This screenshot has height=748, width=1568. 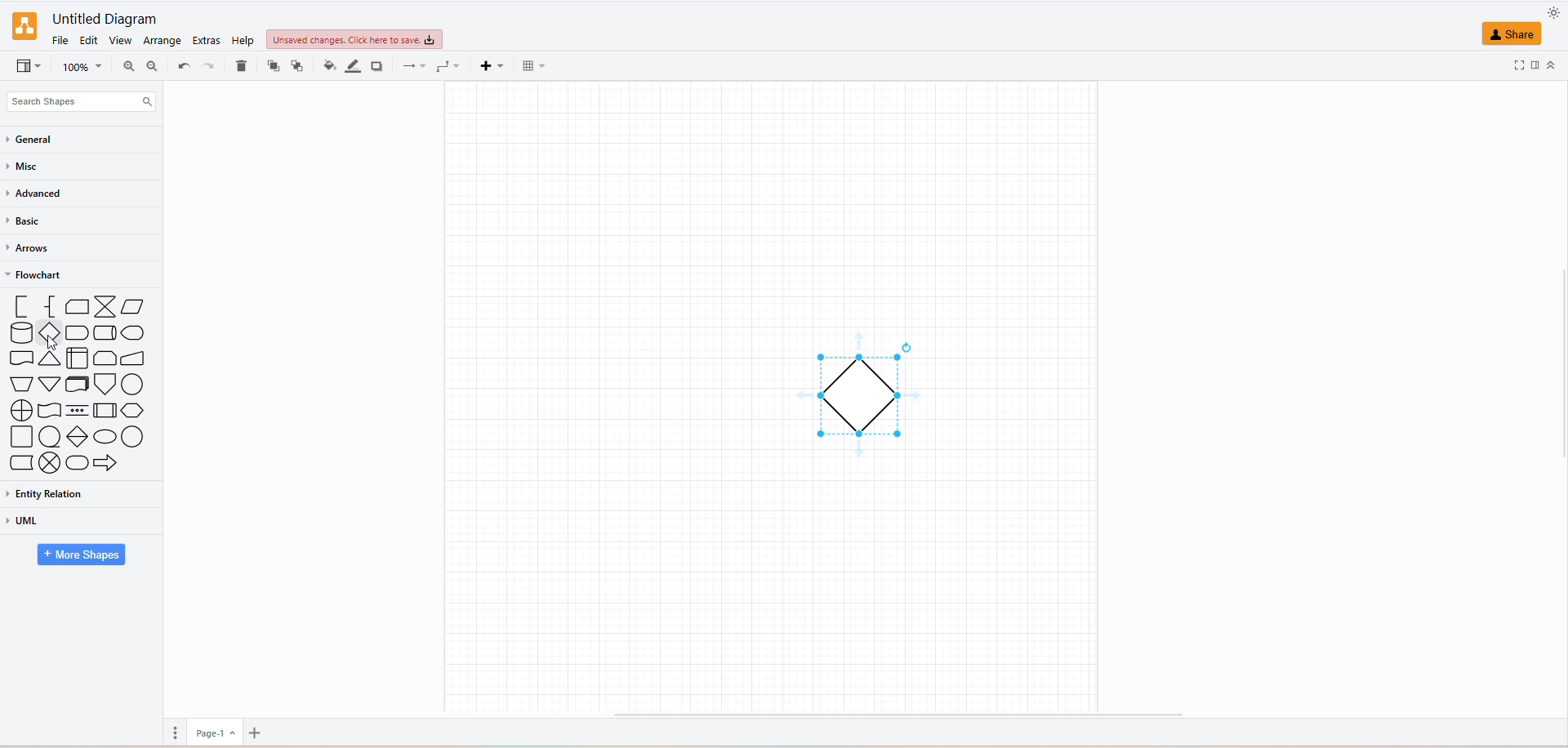 I want to click on ADVANCED, so click(x=38, y=194).